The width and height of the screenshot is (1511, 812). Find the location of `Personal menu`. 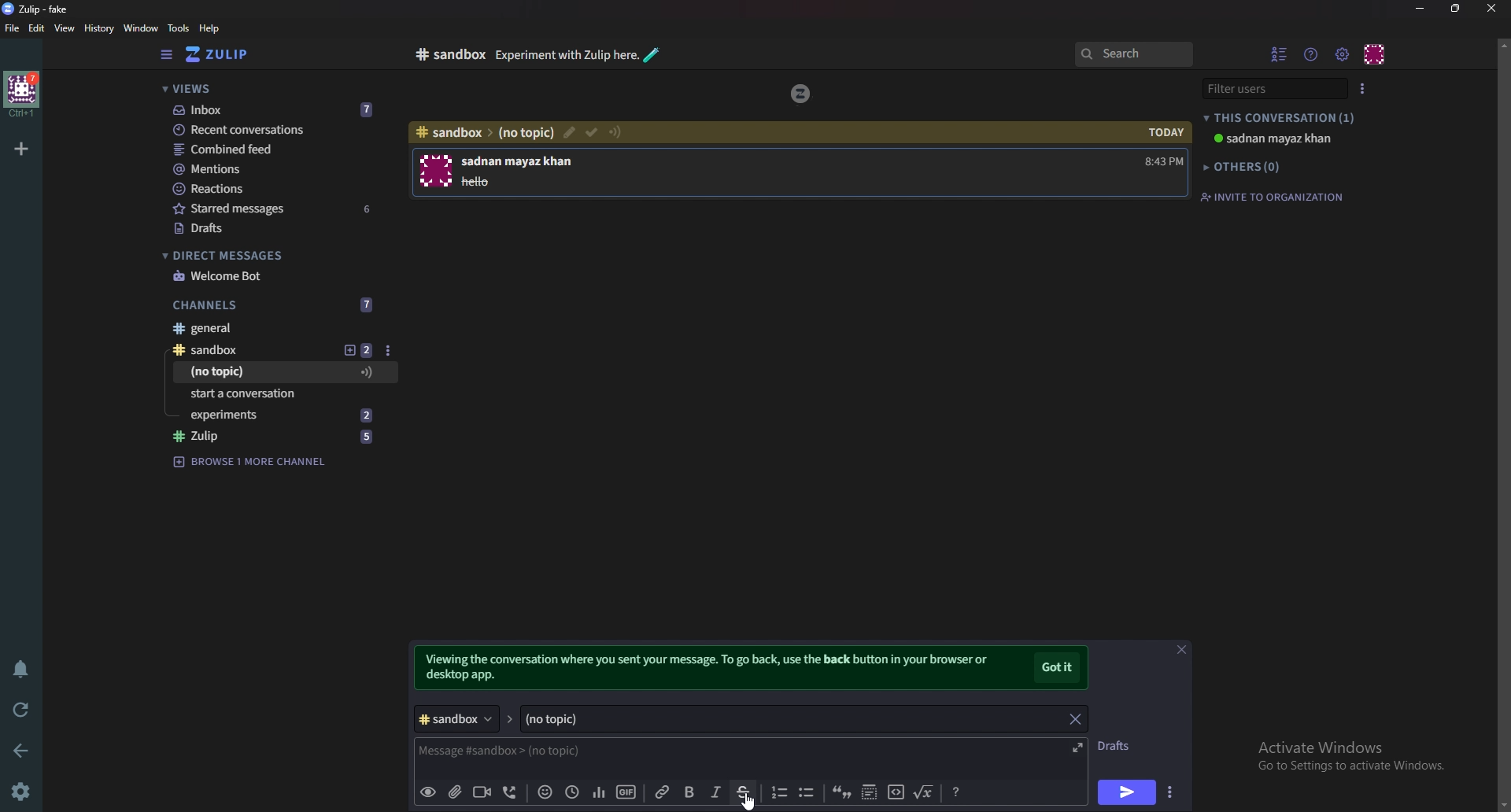

Personal menu is located at coordinates (1375, 54).